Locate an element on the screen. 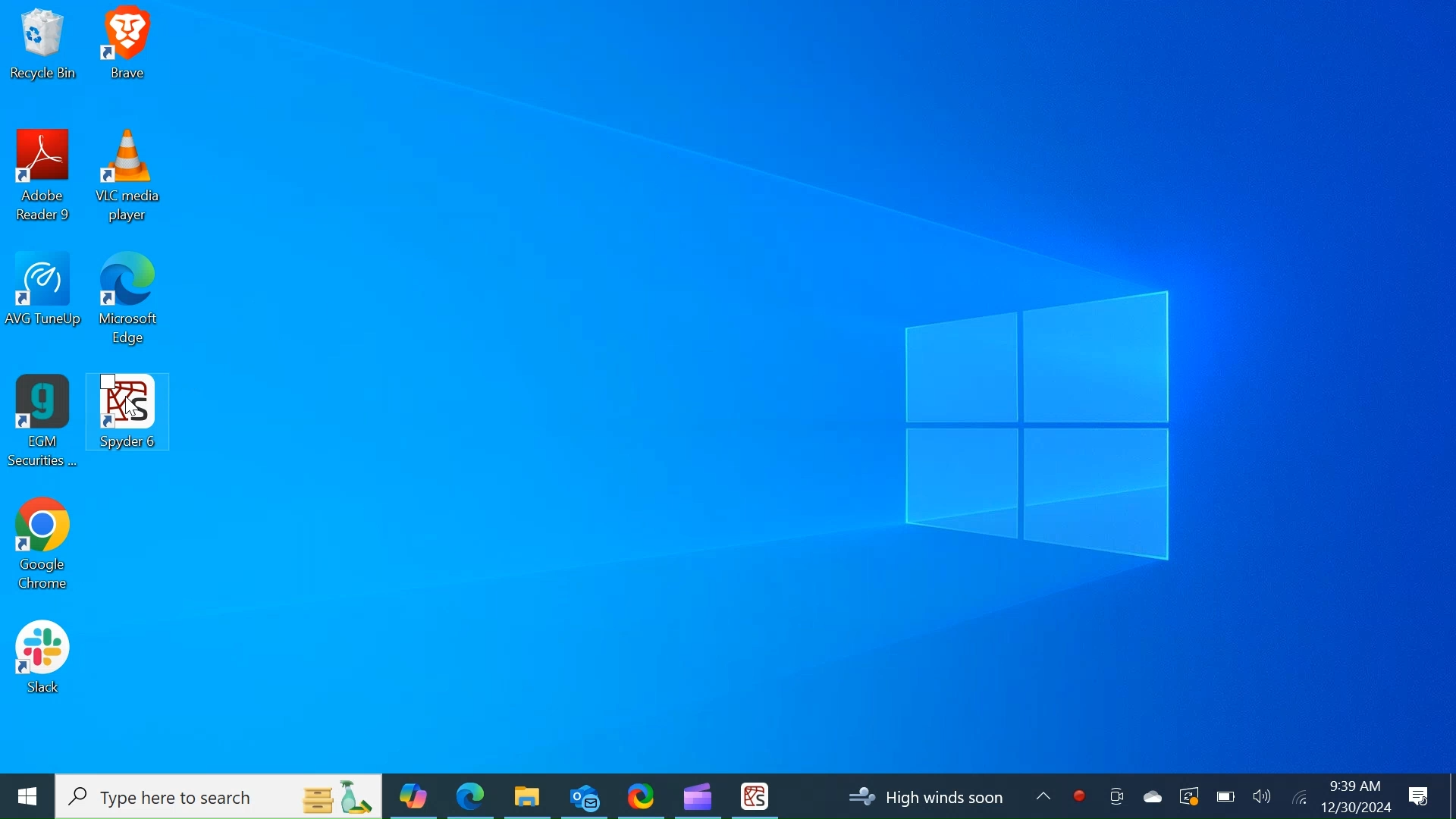  Charge is located at coordinates (1225, 796).